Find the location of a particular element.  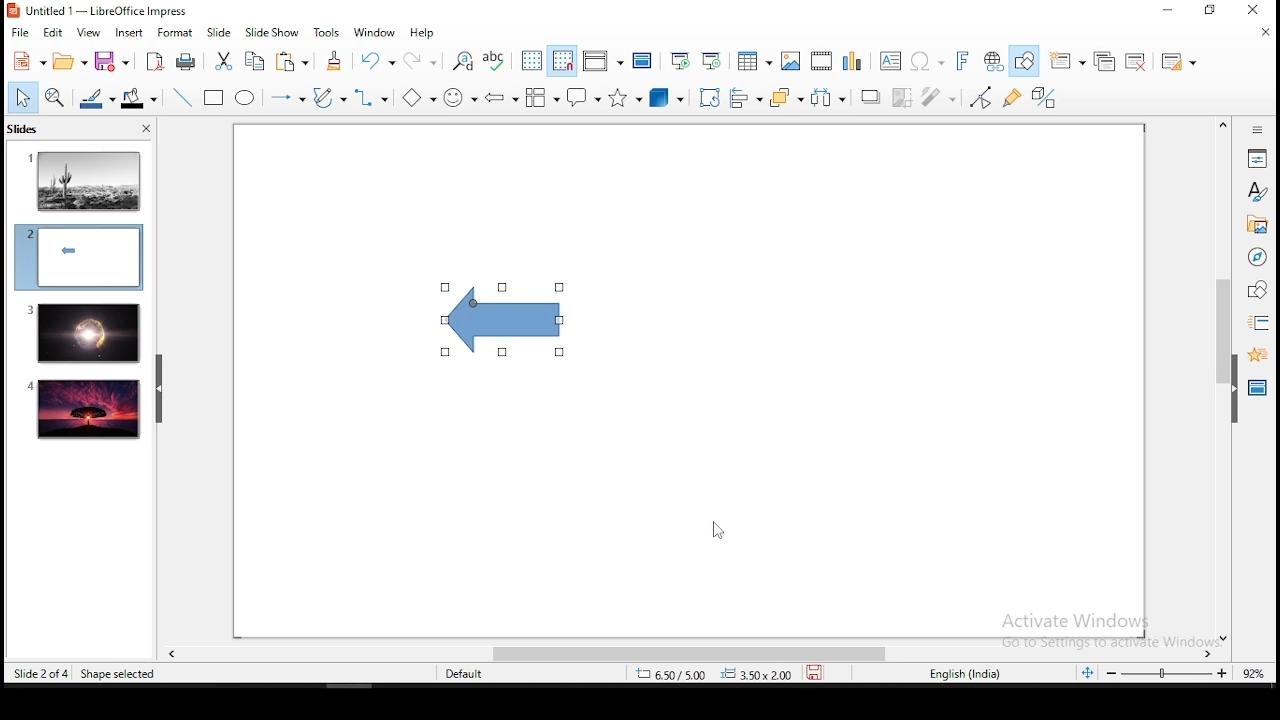

view is located at coordinates (89, 32).